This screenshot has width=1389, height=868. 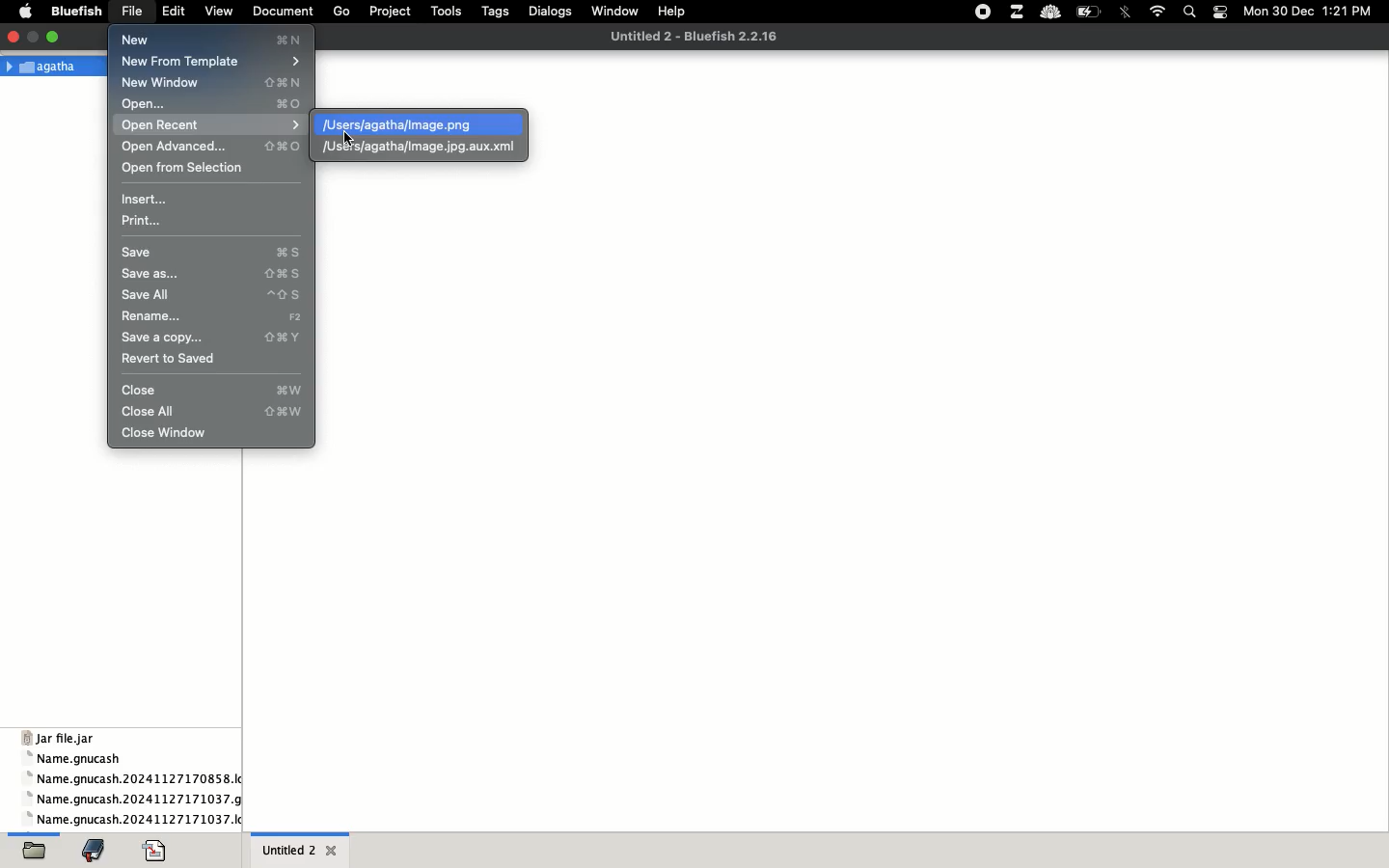 What do you see at coordinates (1158, 12) in the screenshot?
I see `internet` at bounding box center [1158, 12].